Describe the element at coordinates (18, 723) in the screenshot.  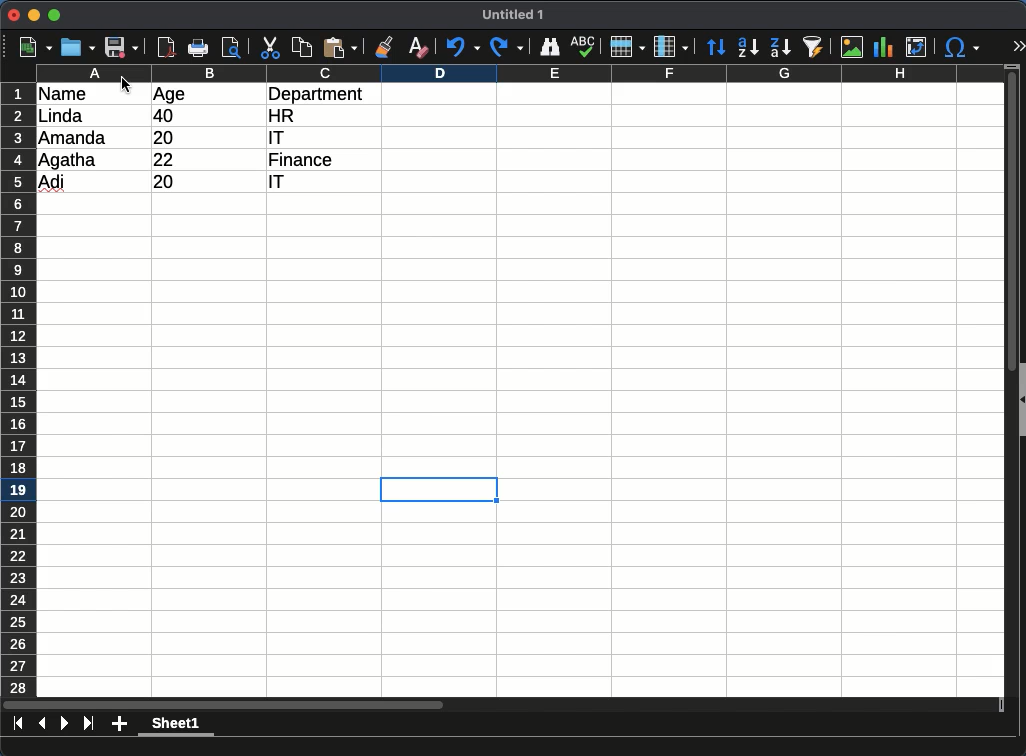
I see `first sheet` at that location.